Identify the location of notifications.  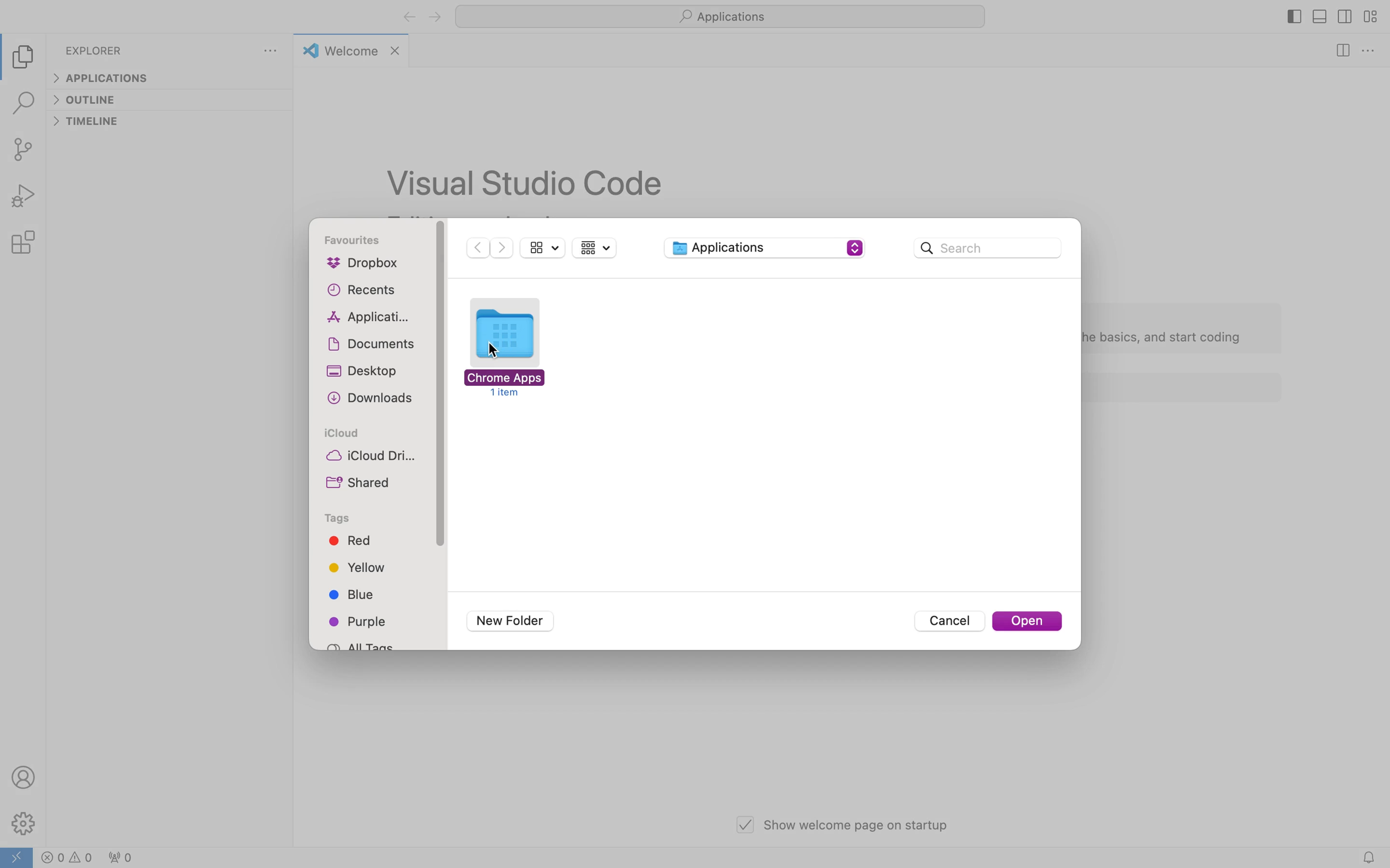
(1373, 855).